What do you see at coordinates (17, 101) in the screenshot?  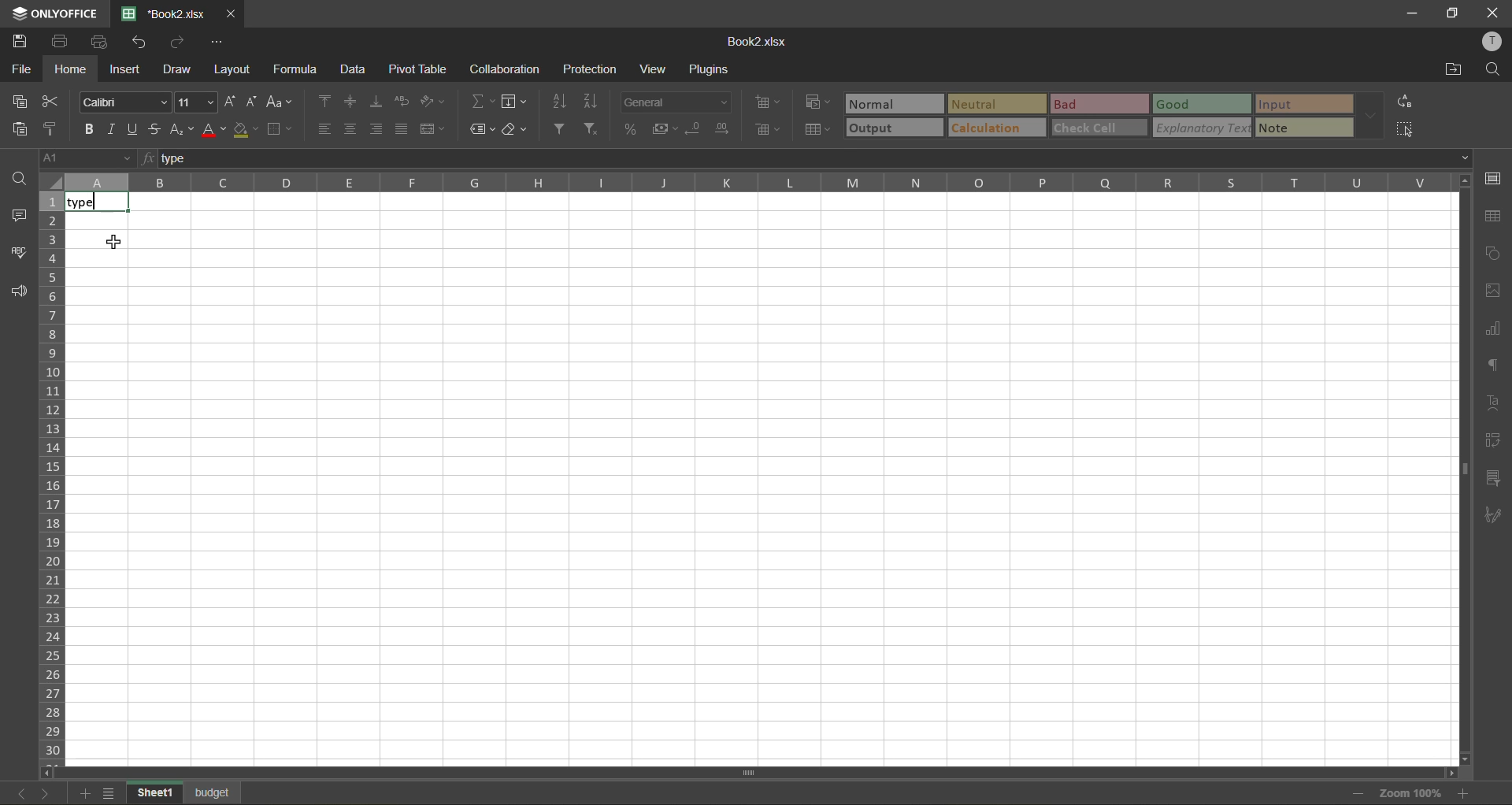 I see `copy` at bounding box center [17, 101].